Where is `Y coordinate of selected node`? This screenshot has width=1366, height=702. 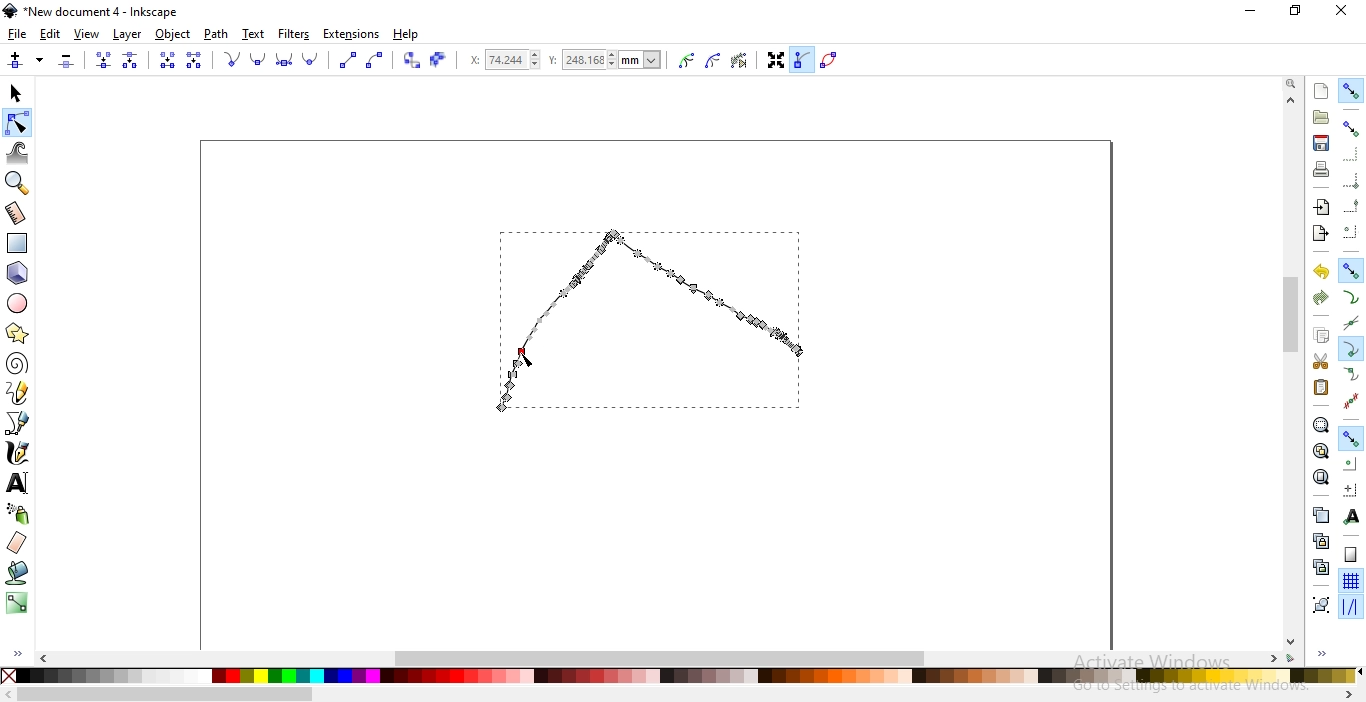
Y coordinate of selected node is located at coordinates (609, 62).